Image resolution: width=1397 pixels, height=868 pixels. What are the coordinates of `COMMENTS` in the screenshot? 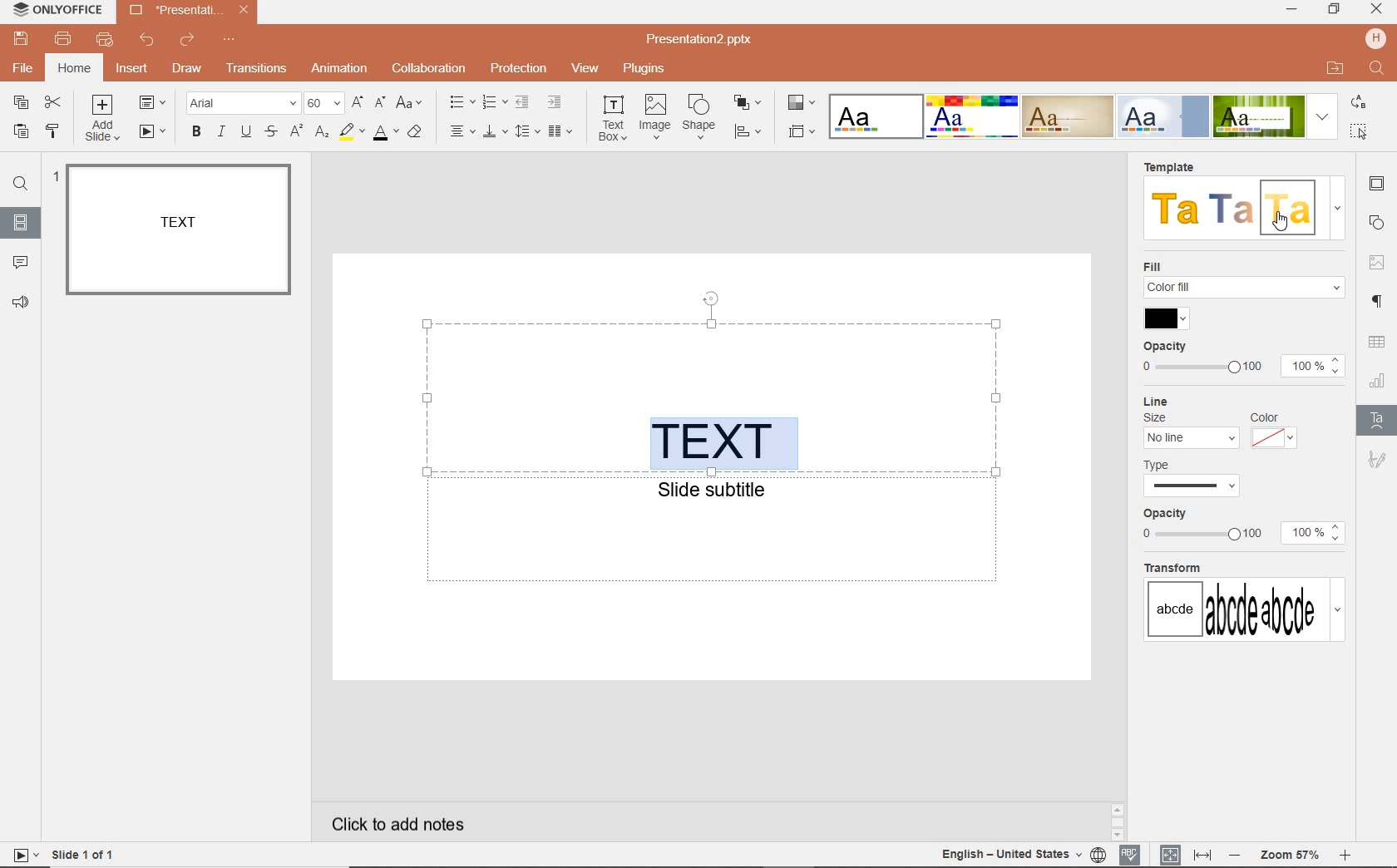 It's located at (21, 260).